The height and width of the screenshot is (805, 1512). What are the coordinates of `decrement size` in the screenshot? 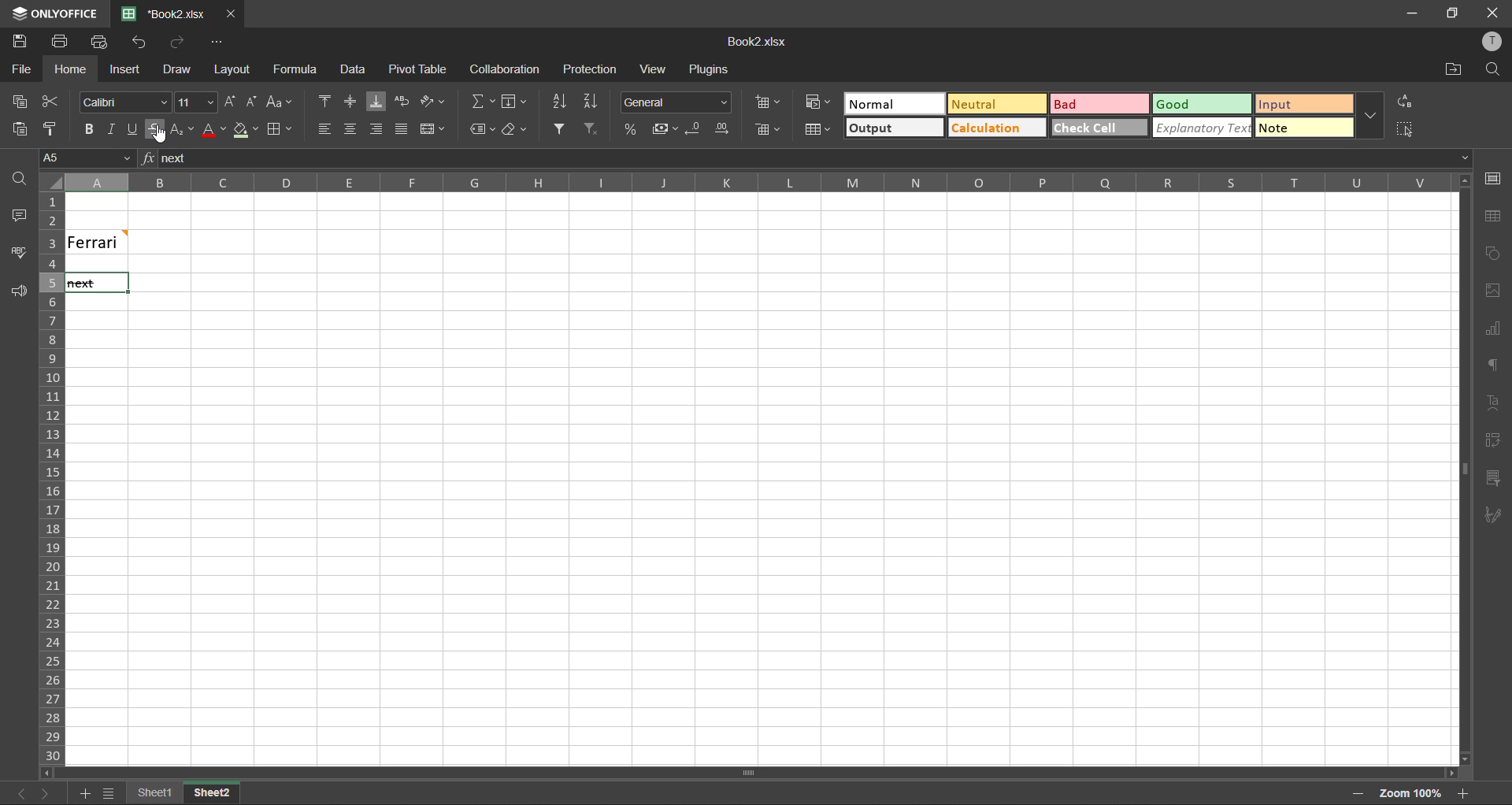 It's located at (254, 103).